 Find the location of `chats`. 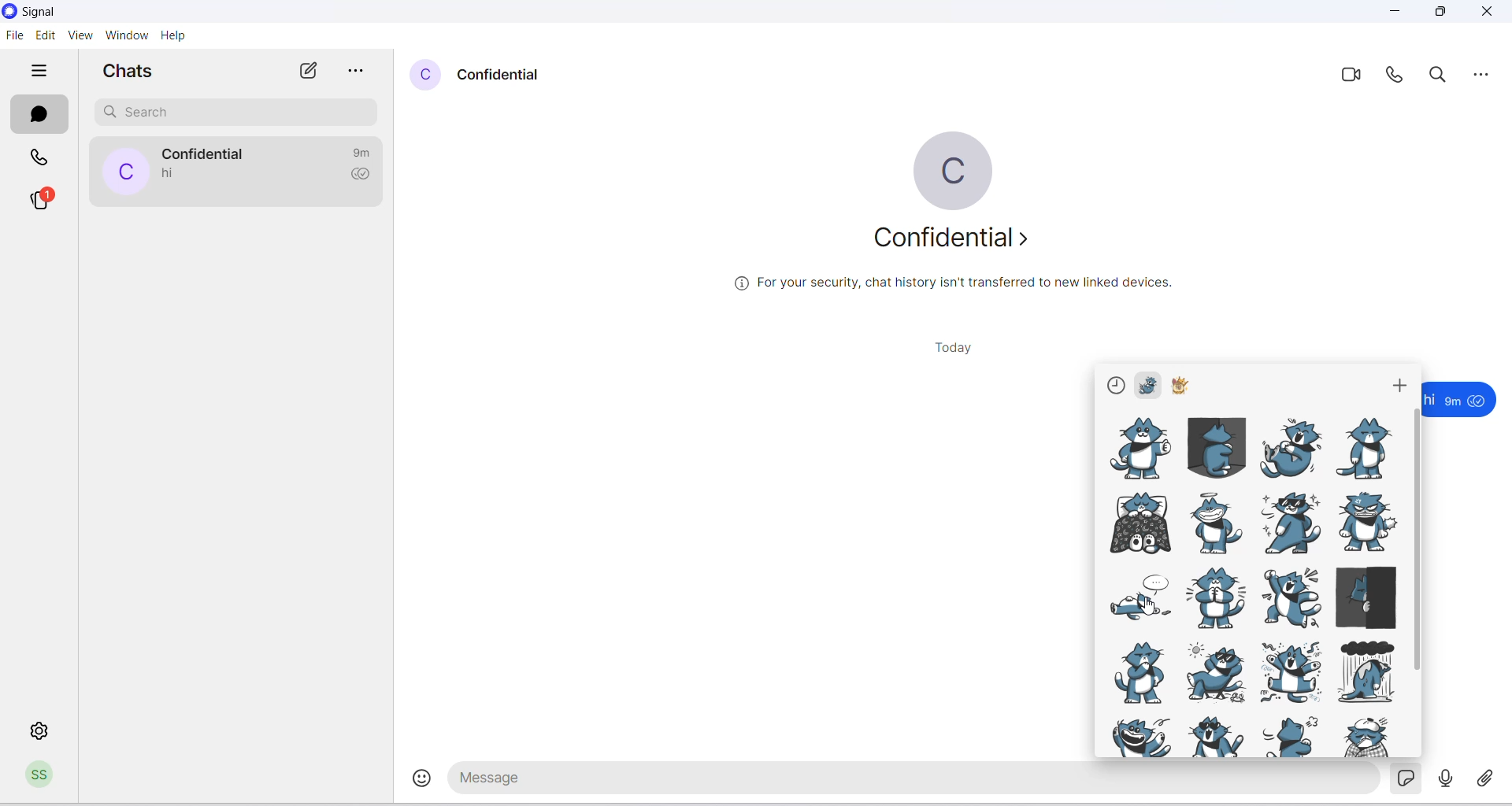

chats is located at coordinates (41, 113).